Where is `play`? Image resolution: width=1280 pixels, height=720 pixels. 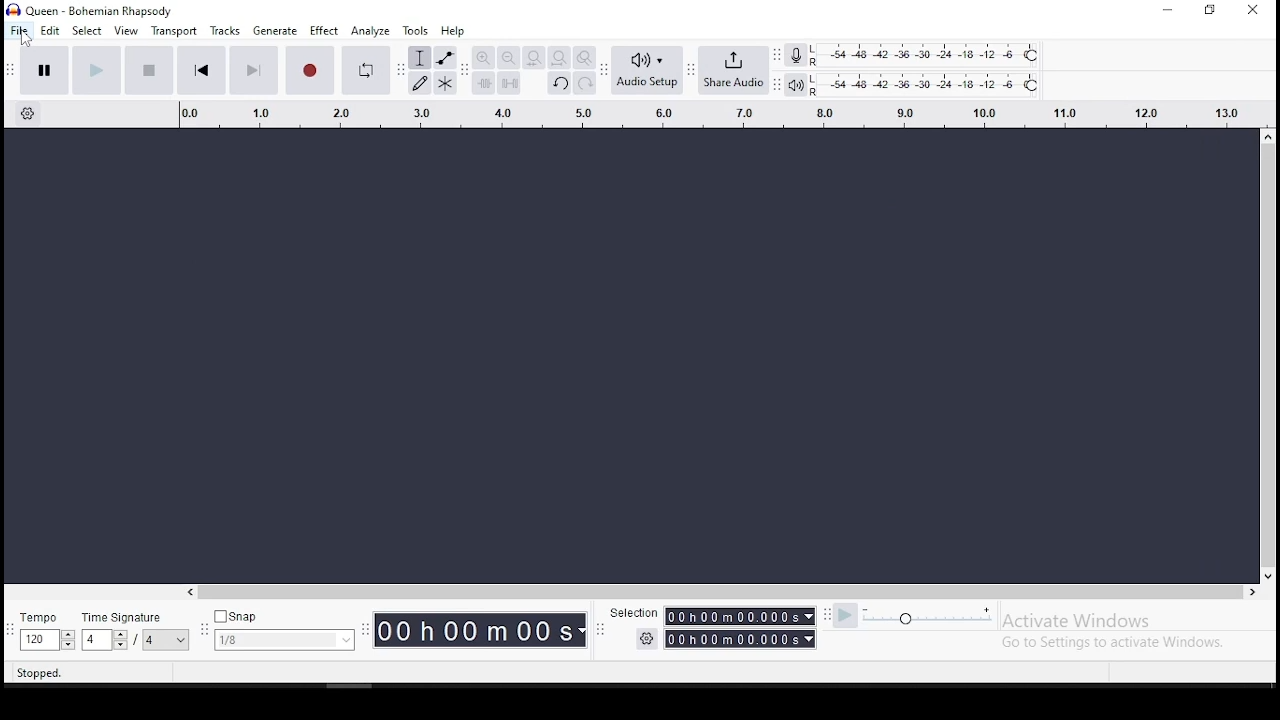 play is located at coordinates (95, 70).